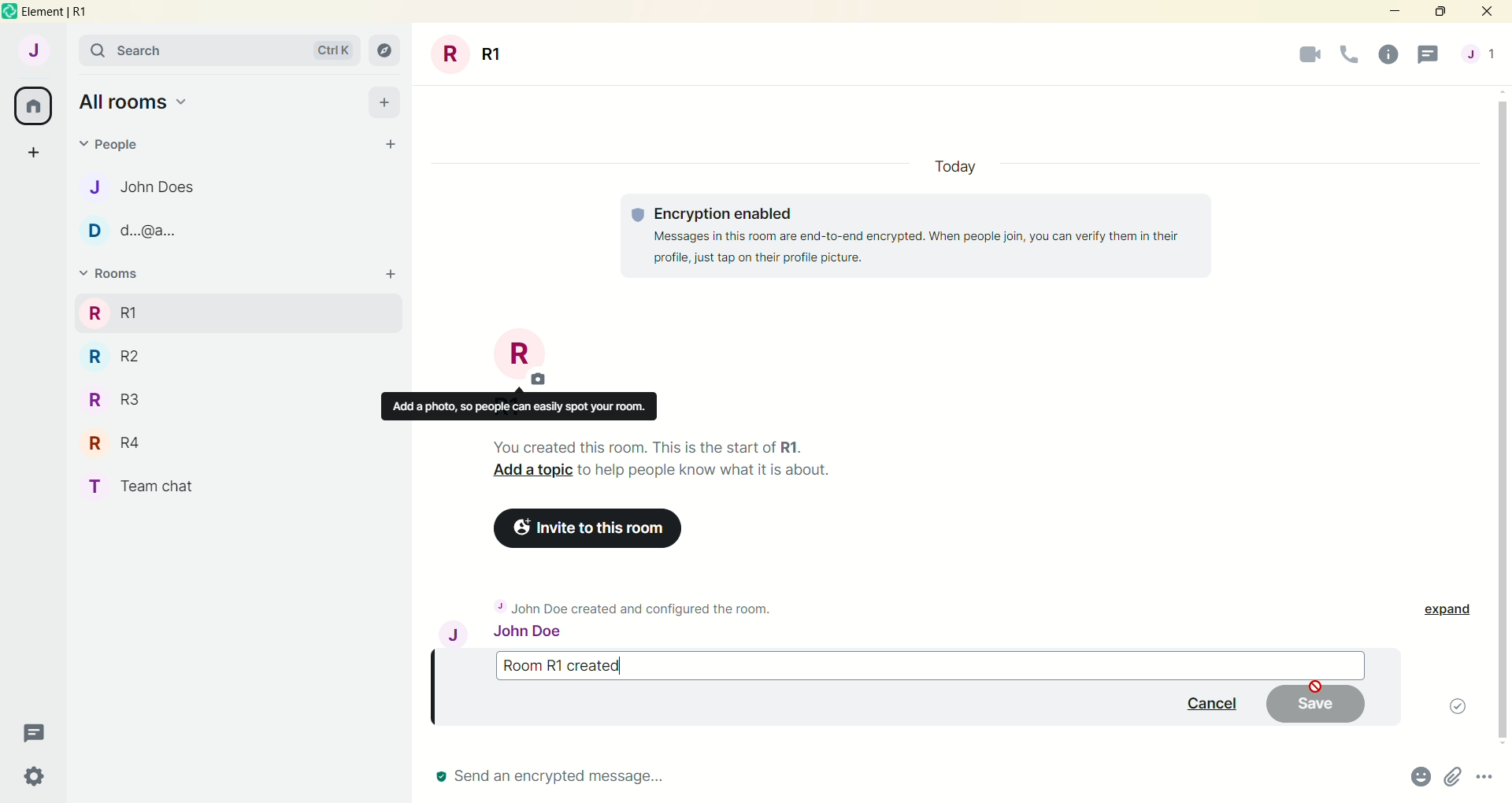 The image size is (1512, 803). I want to click on © Encryption enabled
Messages in this room are end-to-end encrypted. When people join, you can verify them in their
profile, just tap on their profile picture., so click(916, 235).